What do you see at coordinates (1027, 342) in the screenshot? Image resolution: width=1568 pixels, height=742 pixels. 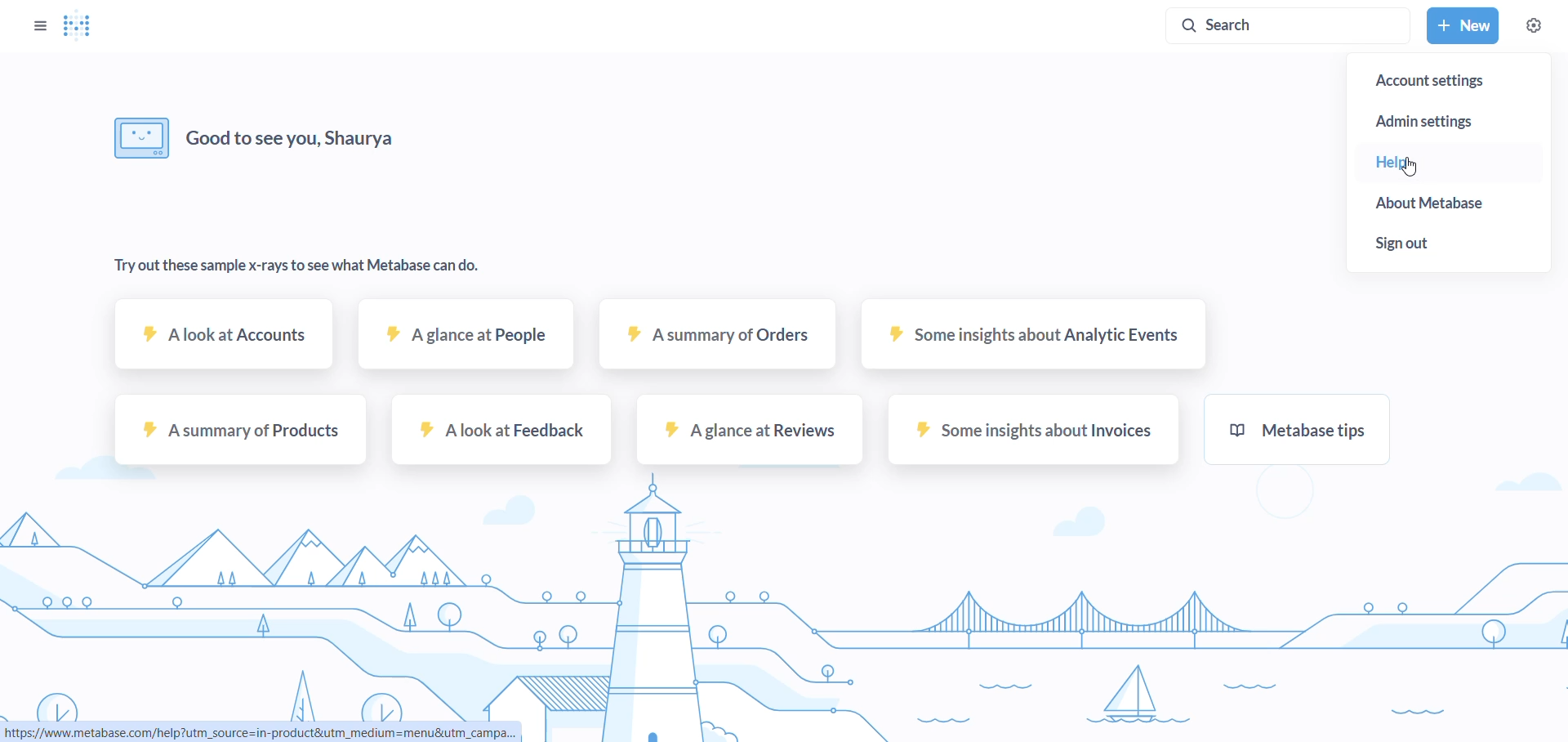 I see `some insights about analytic events sample` at bounding box center [1027, 342].